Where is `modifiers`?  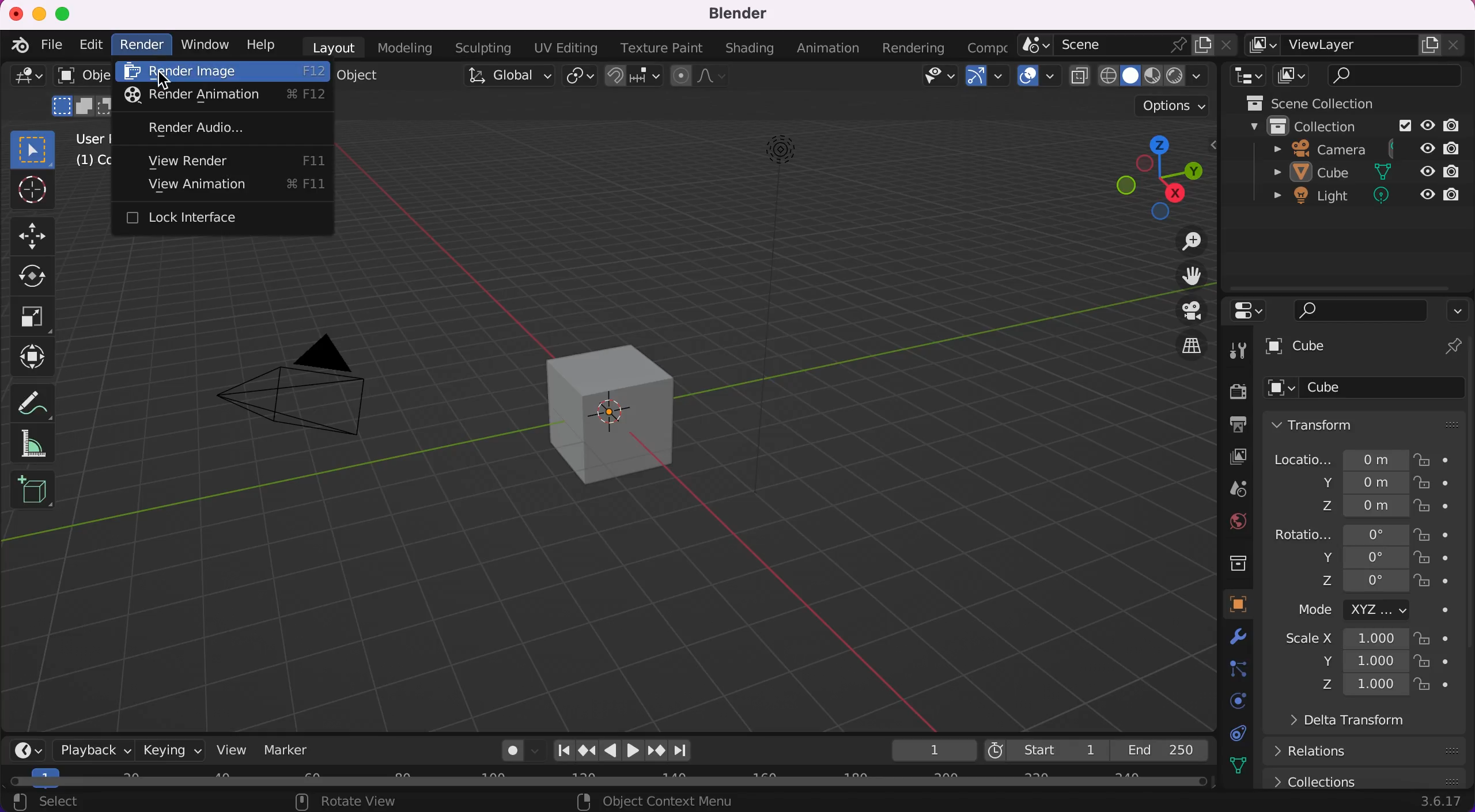
modifiers is located at coordinates (1232, 639).